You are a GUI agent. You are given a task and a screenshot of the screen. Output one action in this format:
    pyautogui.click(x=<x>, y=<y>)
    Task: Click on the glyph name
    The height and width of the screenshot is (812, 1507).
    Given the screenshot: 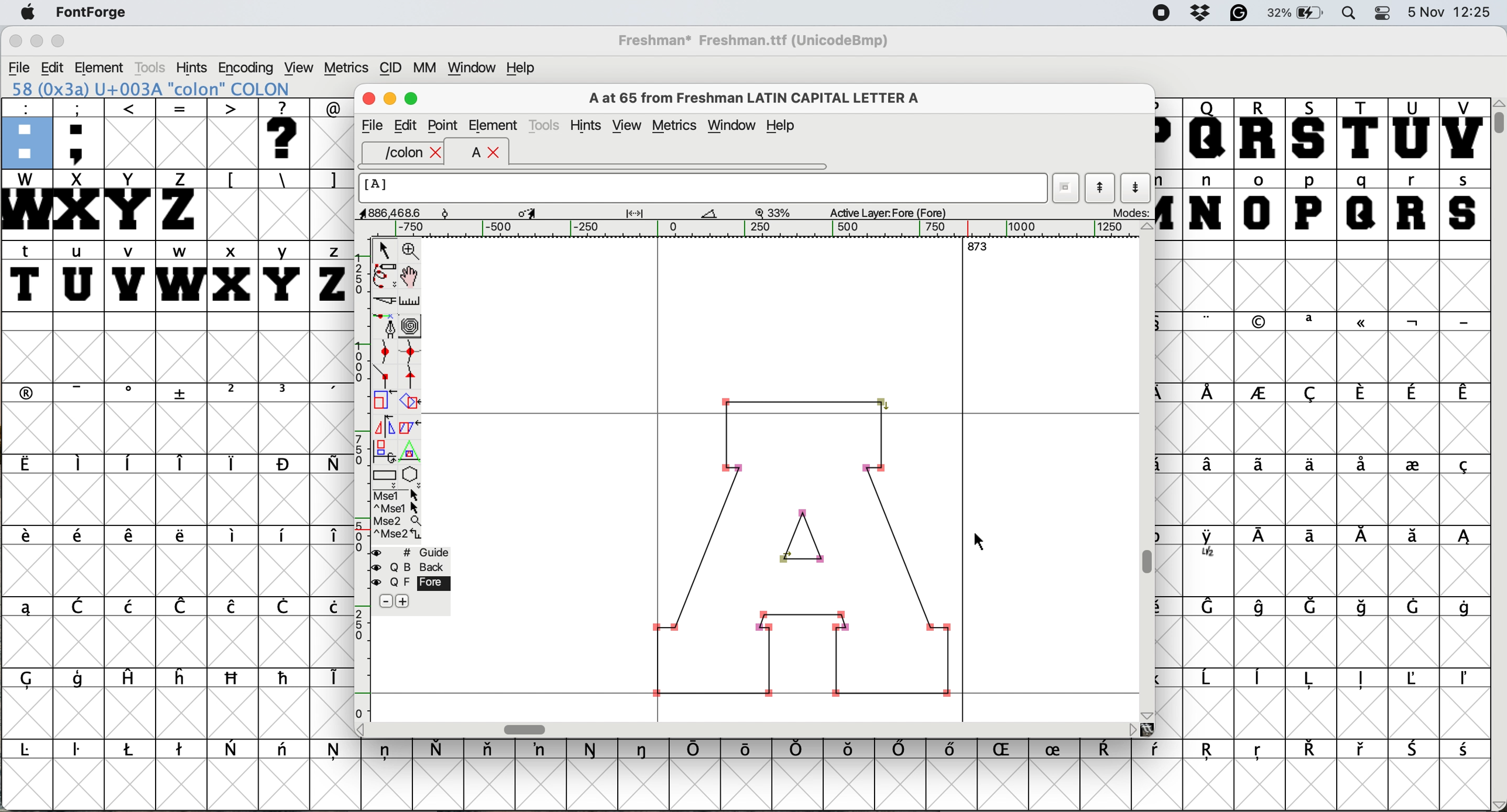 What is the action you would take?
    pyautogui.click(x=705, y=188)
    